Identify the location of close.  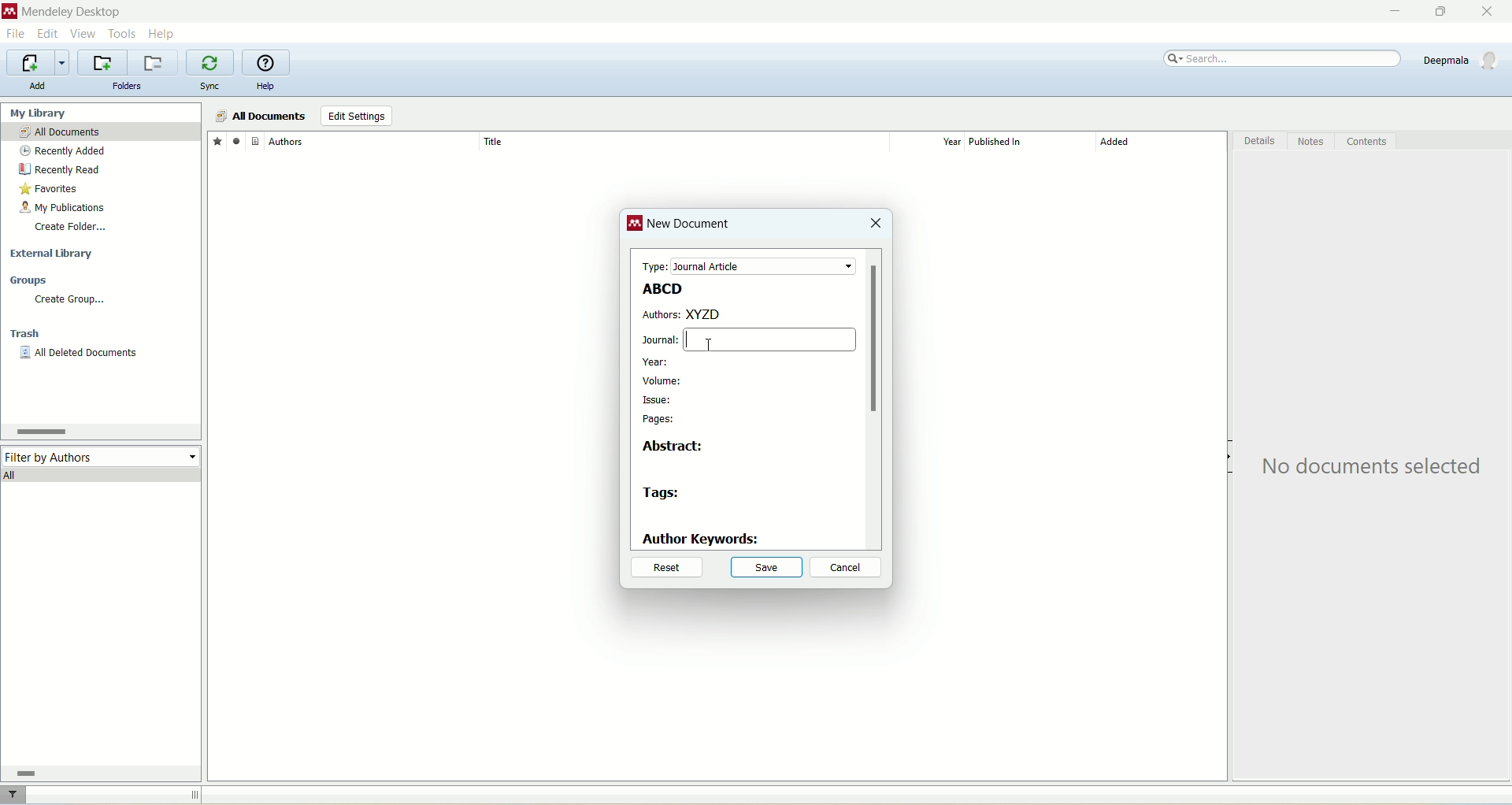
(875, 224).